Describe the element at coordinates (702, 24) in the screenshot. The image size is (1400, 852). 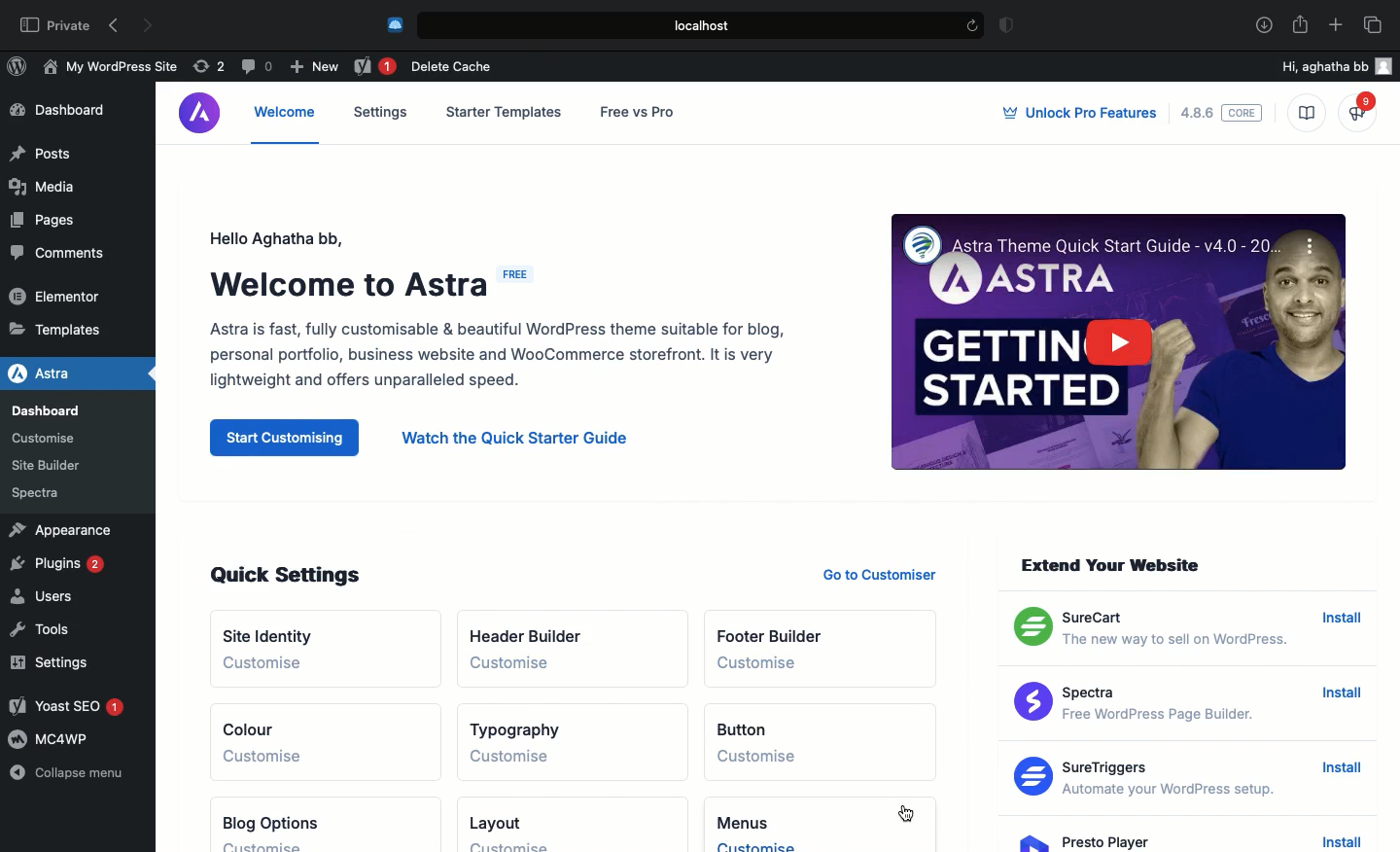
I see `Local.host` at that location.